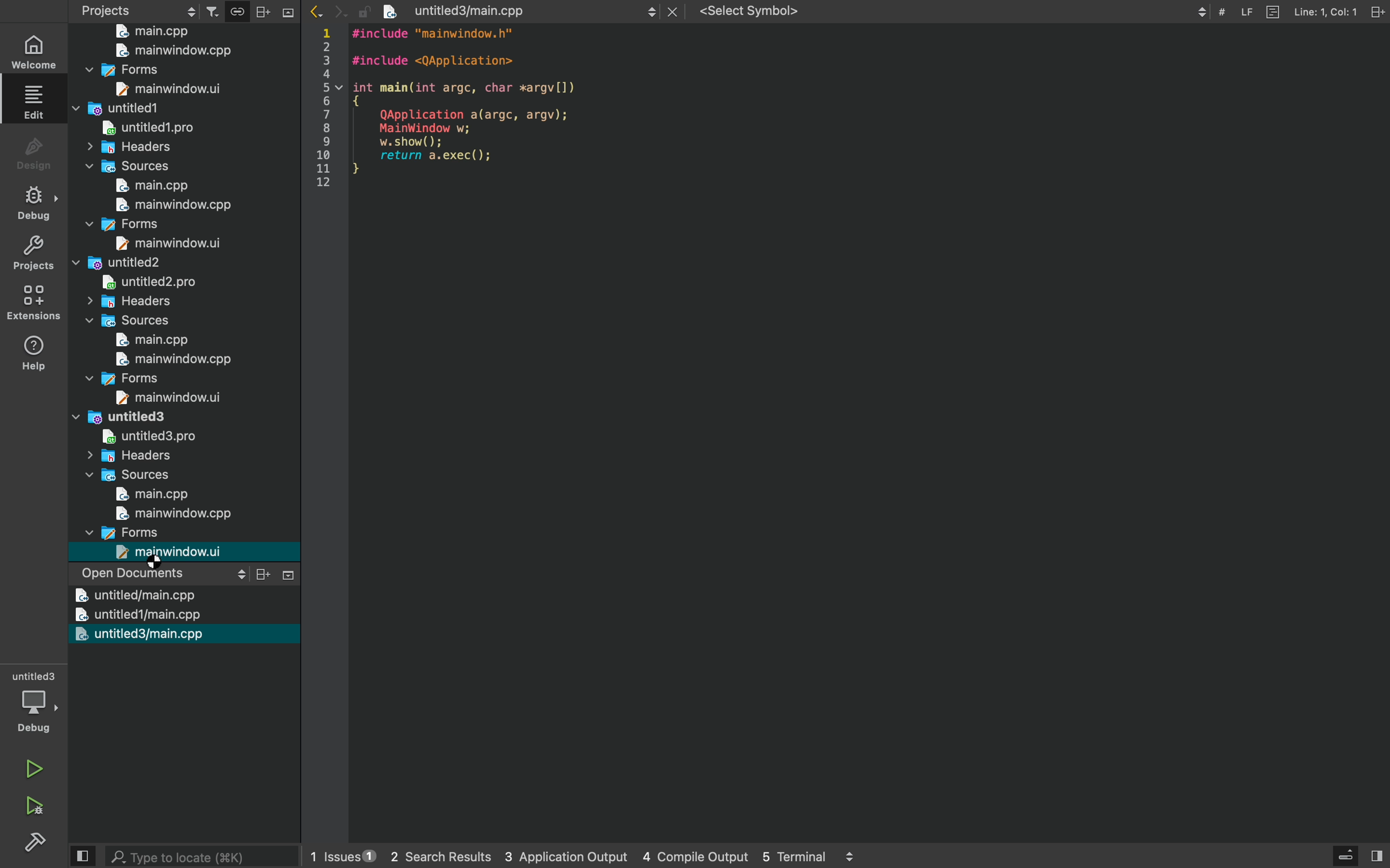 Image resolution: width=1390 pixels, height=868 pixels. What do you see at coordinates (161, 91) in the screenshot?
I see `Form` at bounding box center [161, 91].